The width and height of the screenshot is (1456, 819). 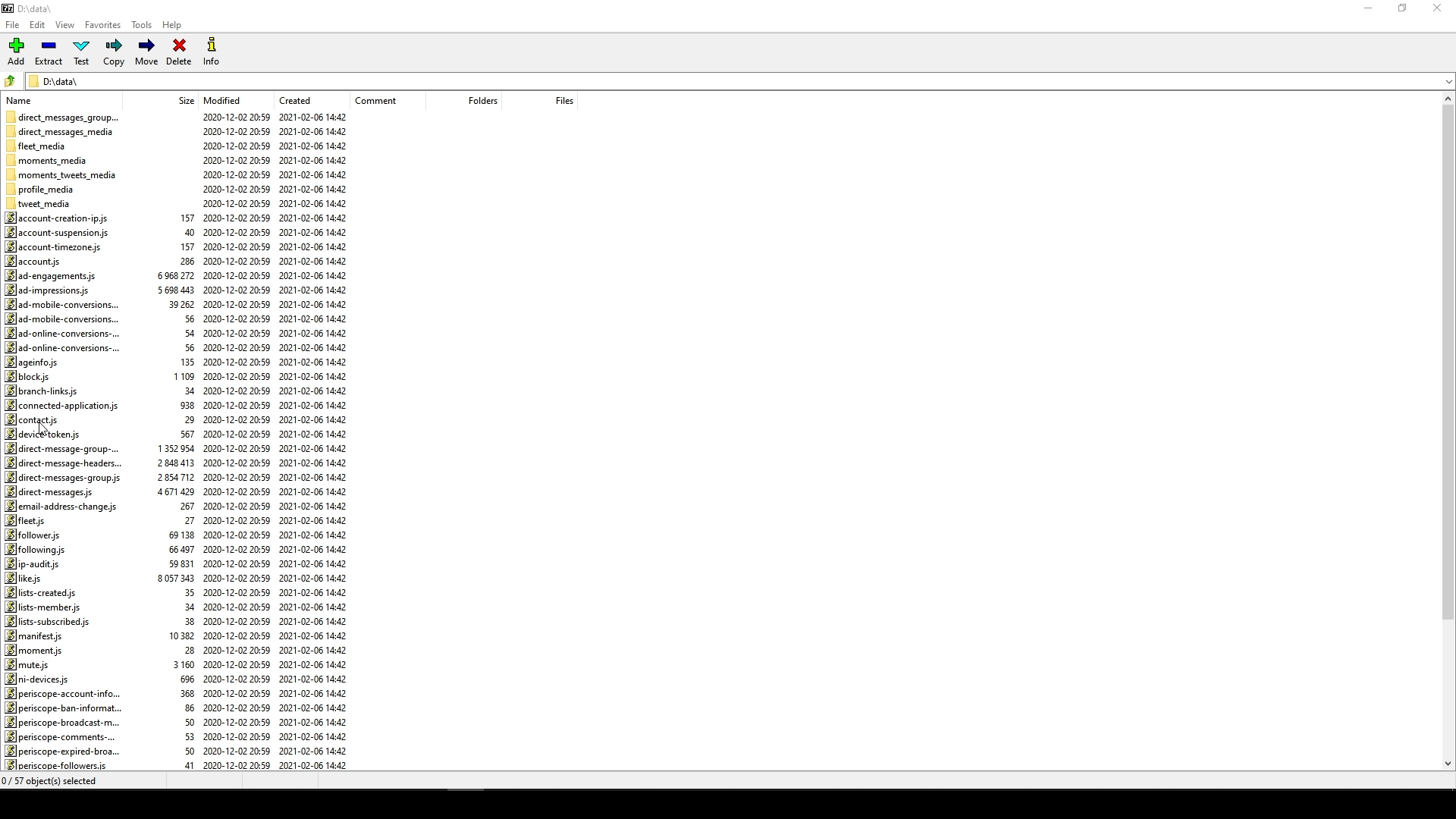 I want to click on ad-mobile-conversions, so click(x=61, y=305).